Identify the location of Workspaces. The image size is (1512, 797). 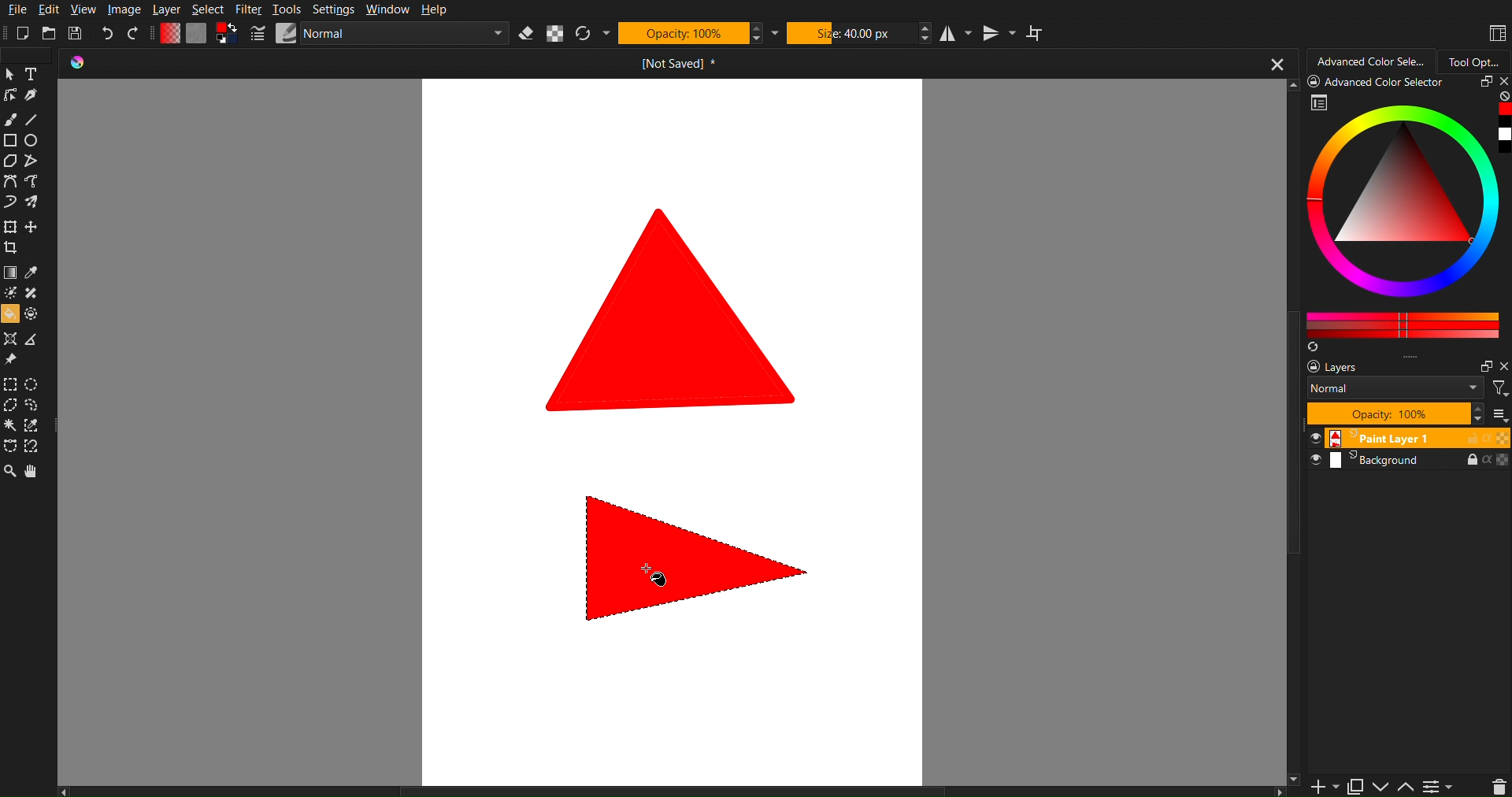
(1495, 32).